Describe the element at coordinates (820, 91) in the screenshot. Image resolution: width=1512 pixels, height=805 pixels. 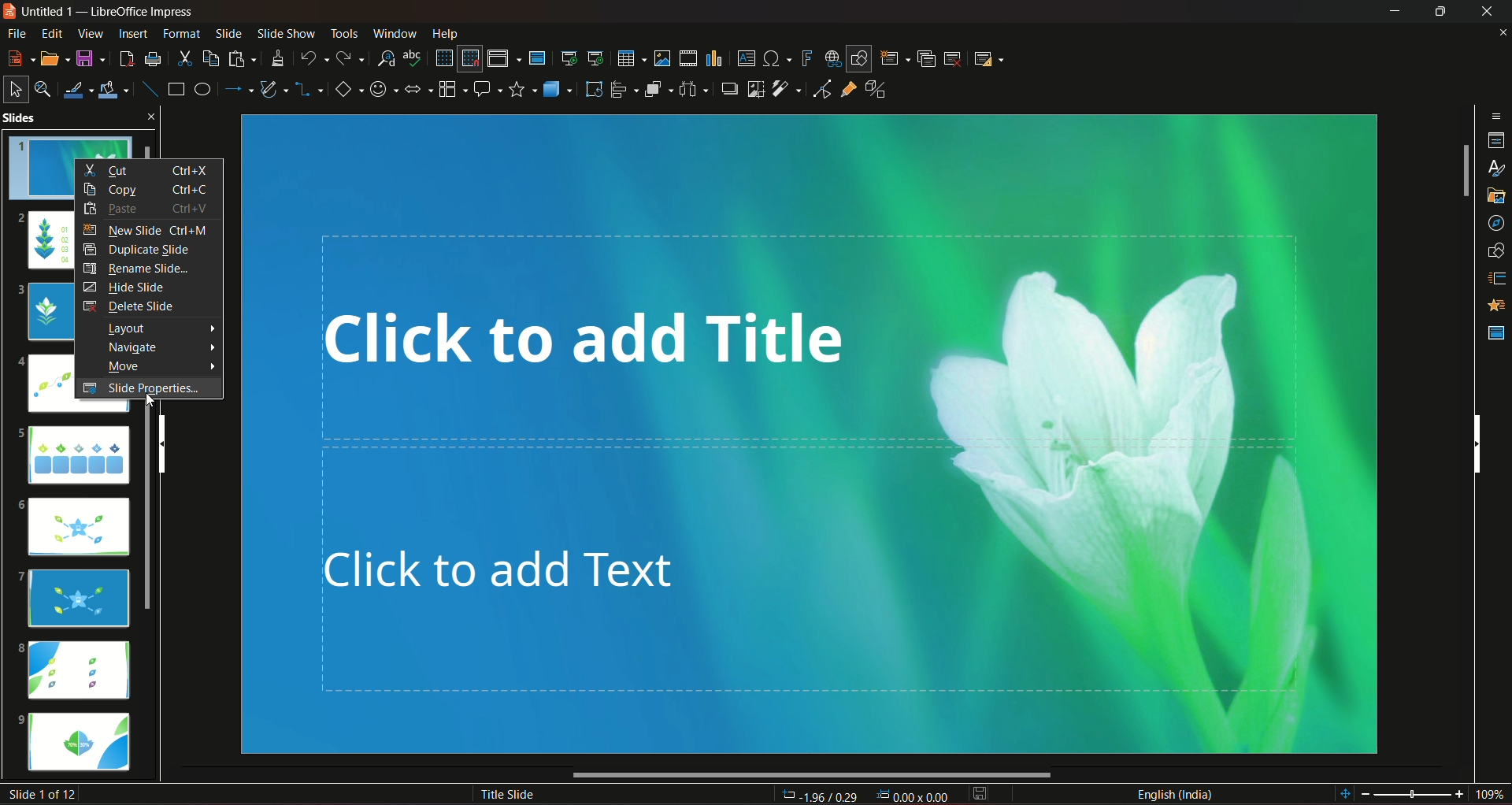
I see `toggle point edit` at that location.